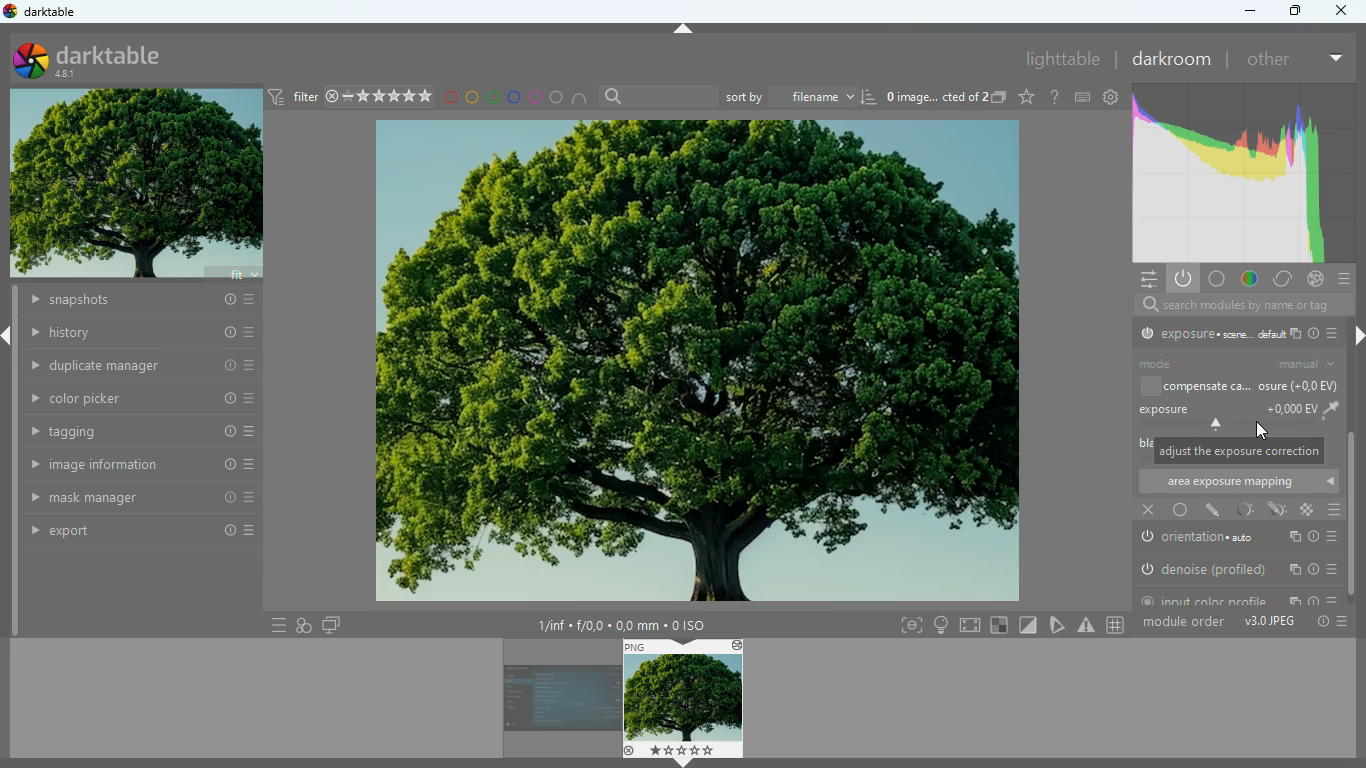  What do you see at coordinates (1063, 59) in the screenshot?
I see `lighttable` at bounding box center [1063, 59].